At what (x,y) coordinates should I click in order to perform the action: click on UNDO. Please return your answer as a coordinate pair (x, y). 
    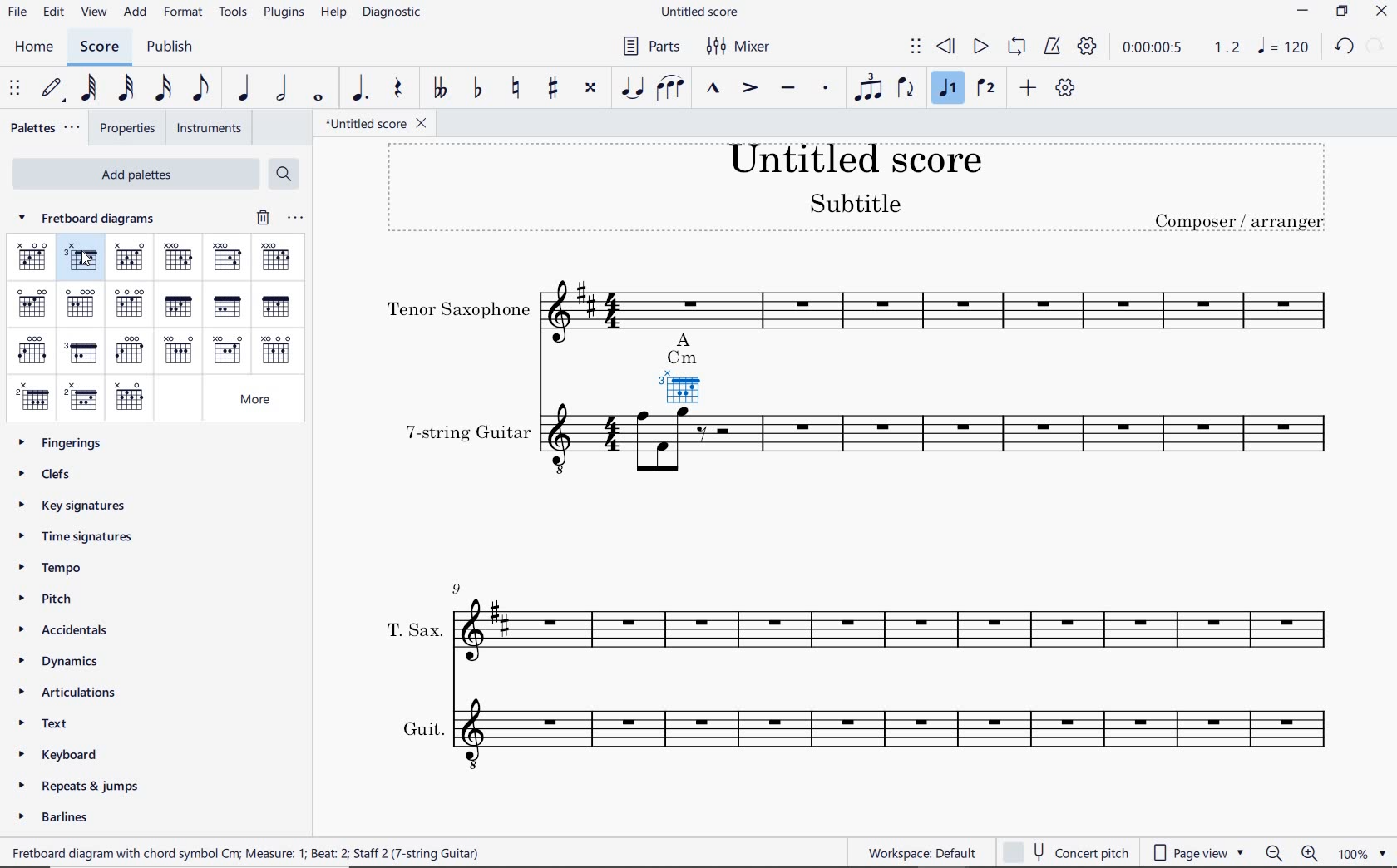
    Looking at the image, I should click on (1342, 47).